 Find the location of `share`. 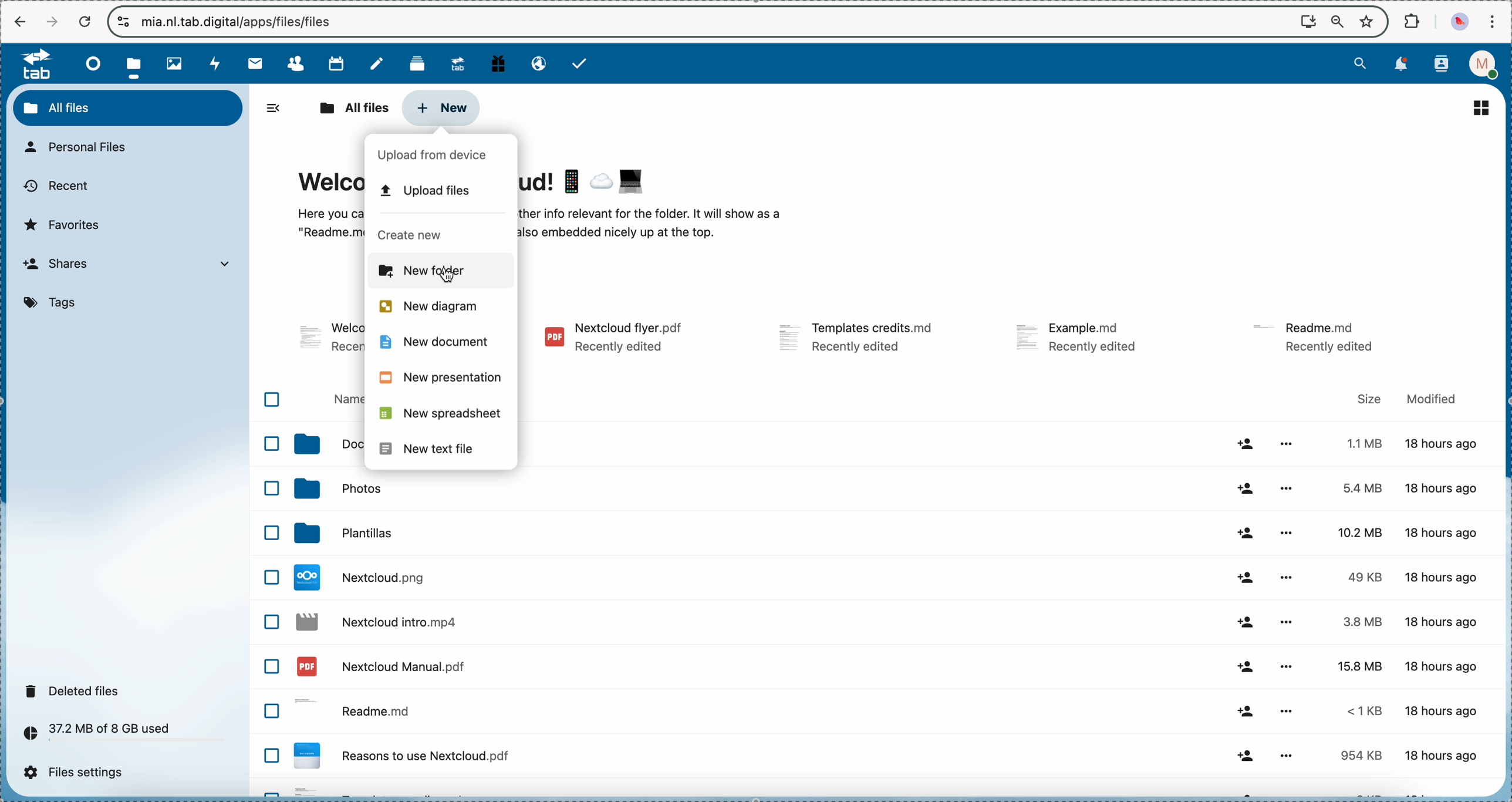

share is located at coordinates (1247, 489).